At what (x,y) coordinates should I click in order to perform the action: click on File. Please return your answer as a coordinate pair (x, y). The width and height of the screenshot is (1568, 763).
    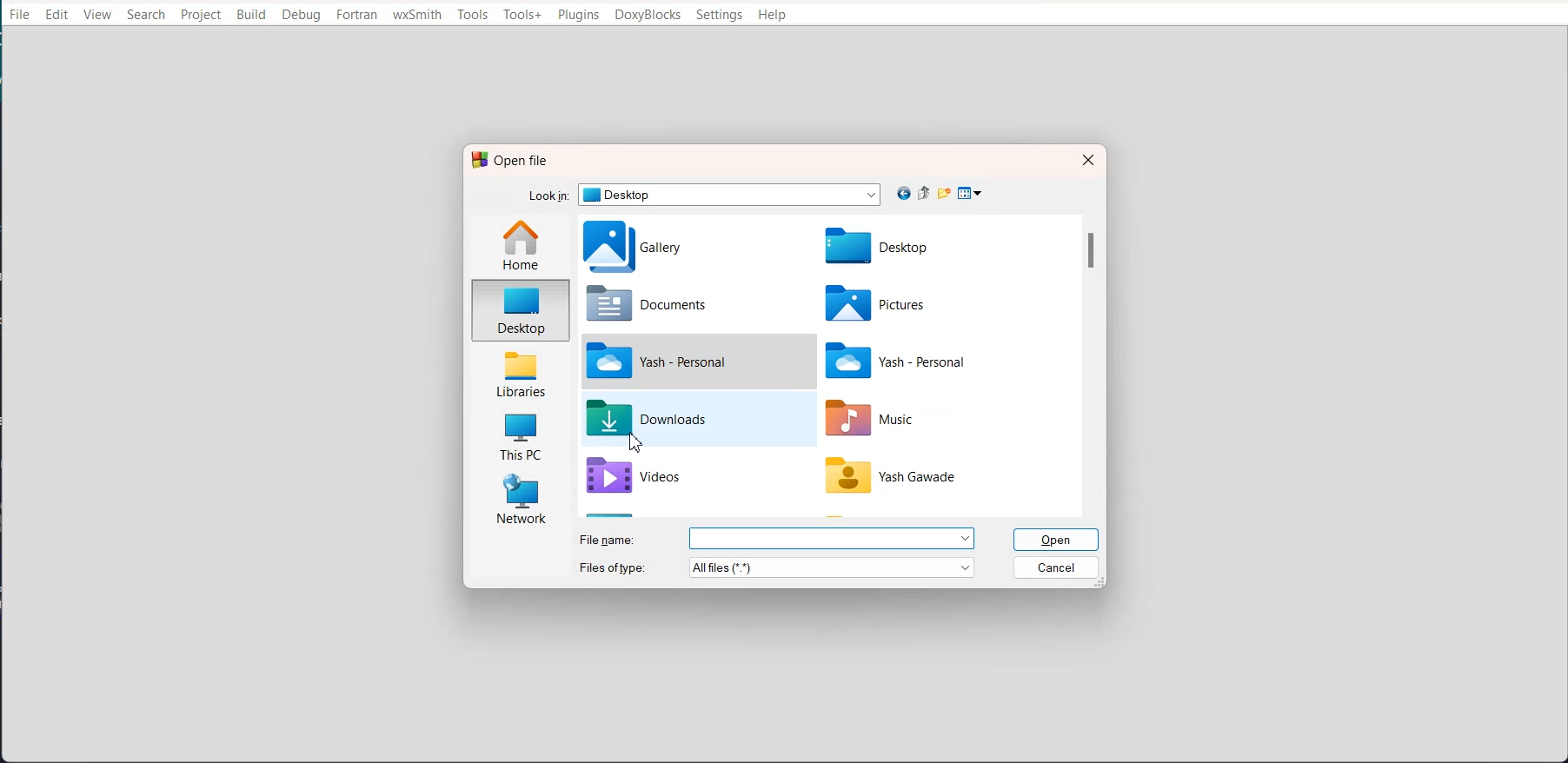
    Looking at the image, I should click on (684, 359).